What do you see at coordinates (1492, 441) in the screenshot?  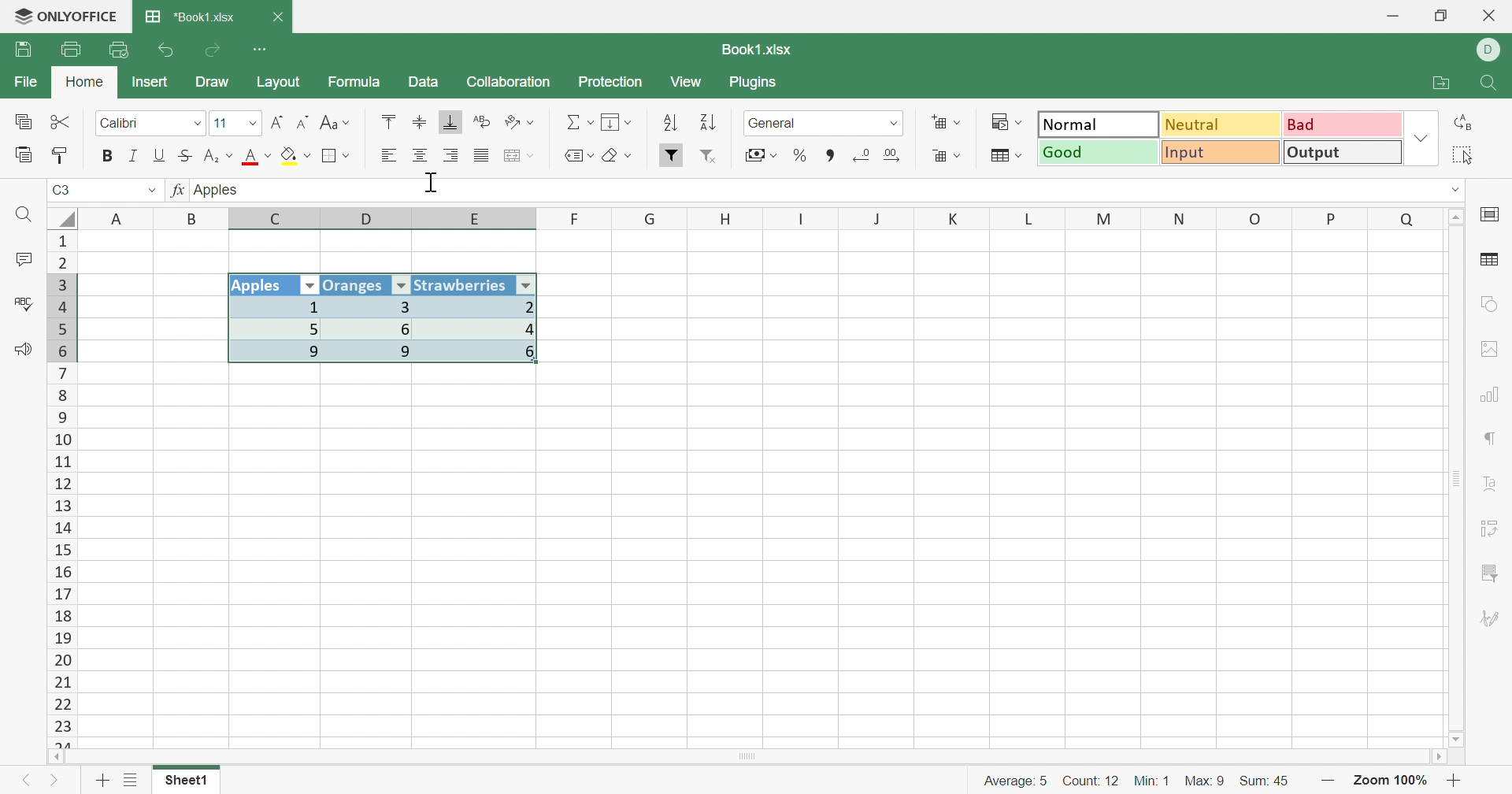 I see `Paragraph settings` at bounding box center [1492, 441].